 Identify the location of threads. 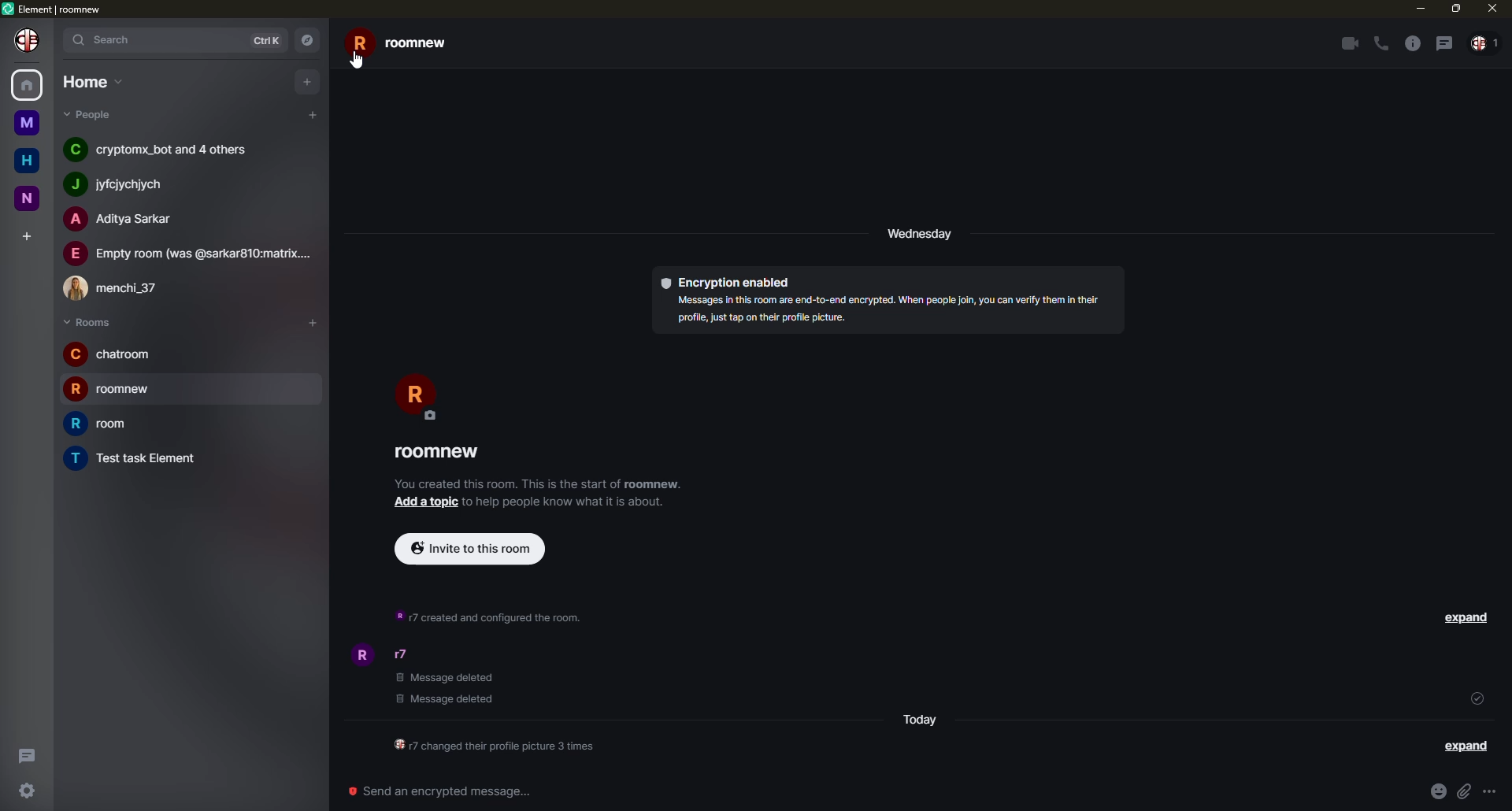
(28, 753).